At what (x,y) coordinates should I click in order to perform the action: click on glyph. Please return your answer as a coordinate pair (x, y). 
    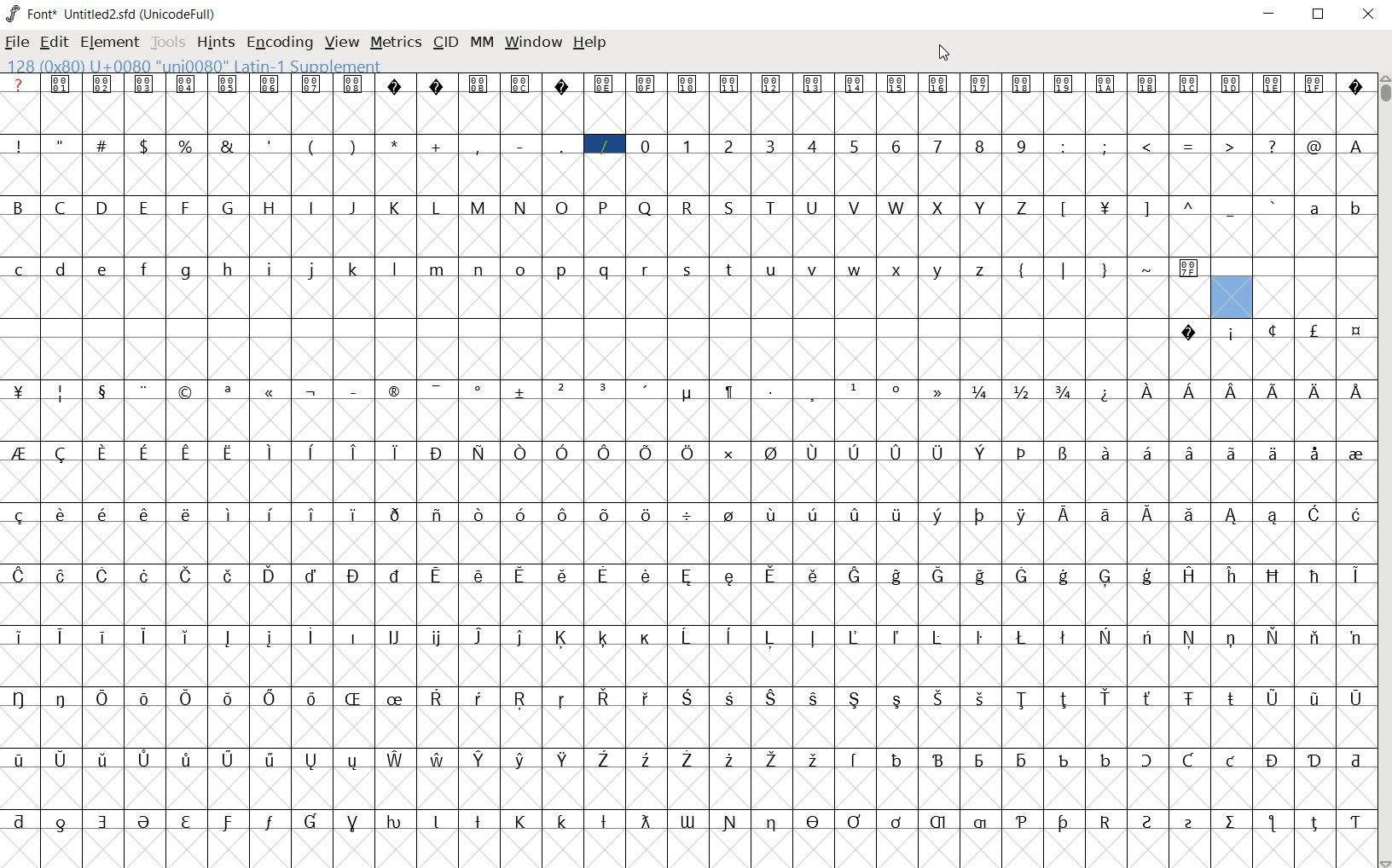
    Looking at the image, I should click on (1229, 145).